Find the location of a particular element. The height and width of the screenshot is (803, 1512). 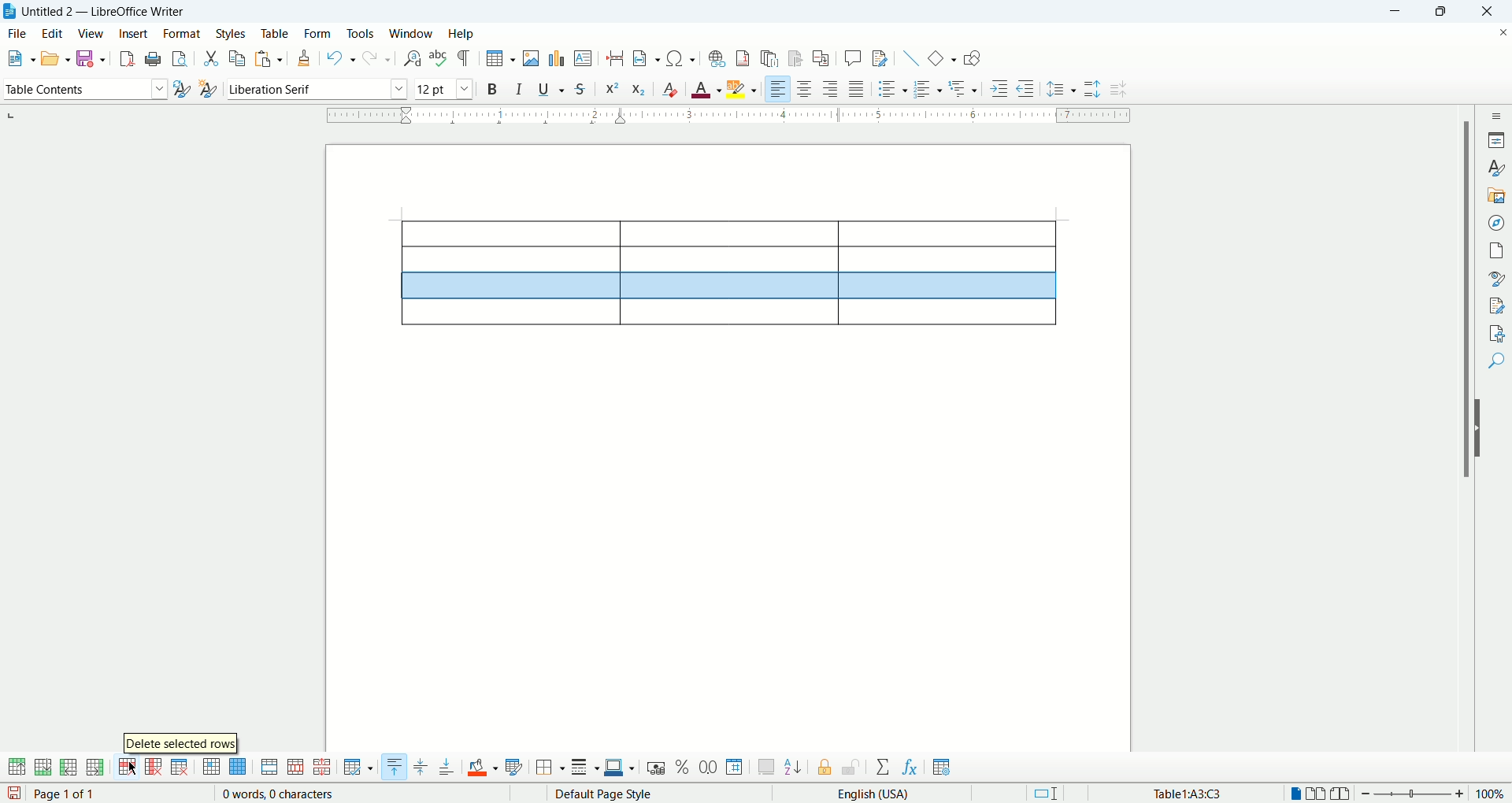

sum is located at coordinates (884, 767).